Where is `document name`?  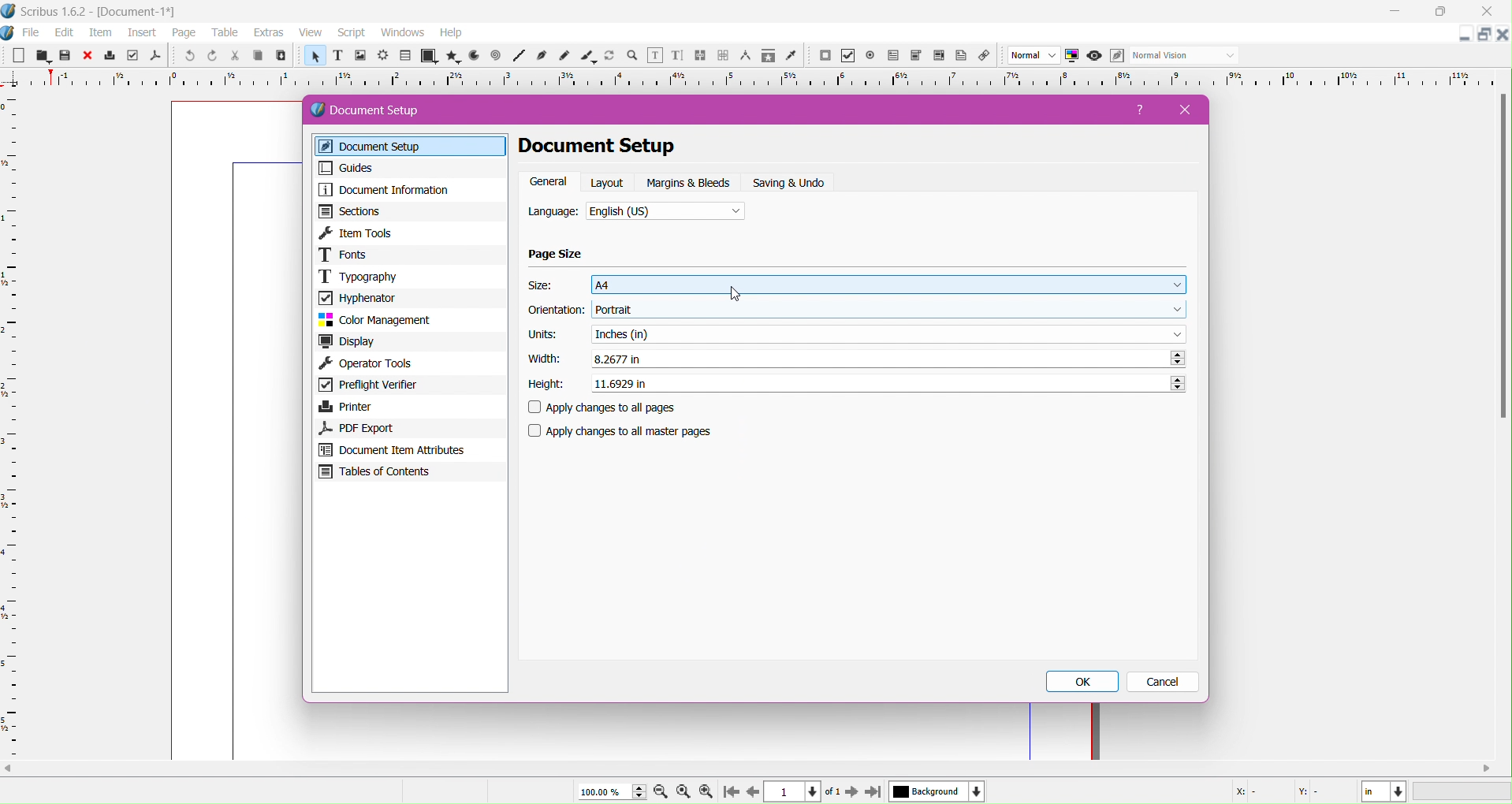
document name is located at coordinates (140, 13).